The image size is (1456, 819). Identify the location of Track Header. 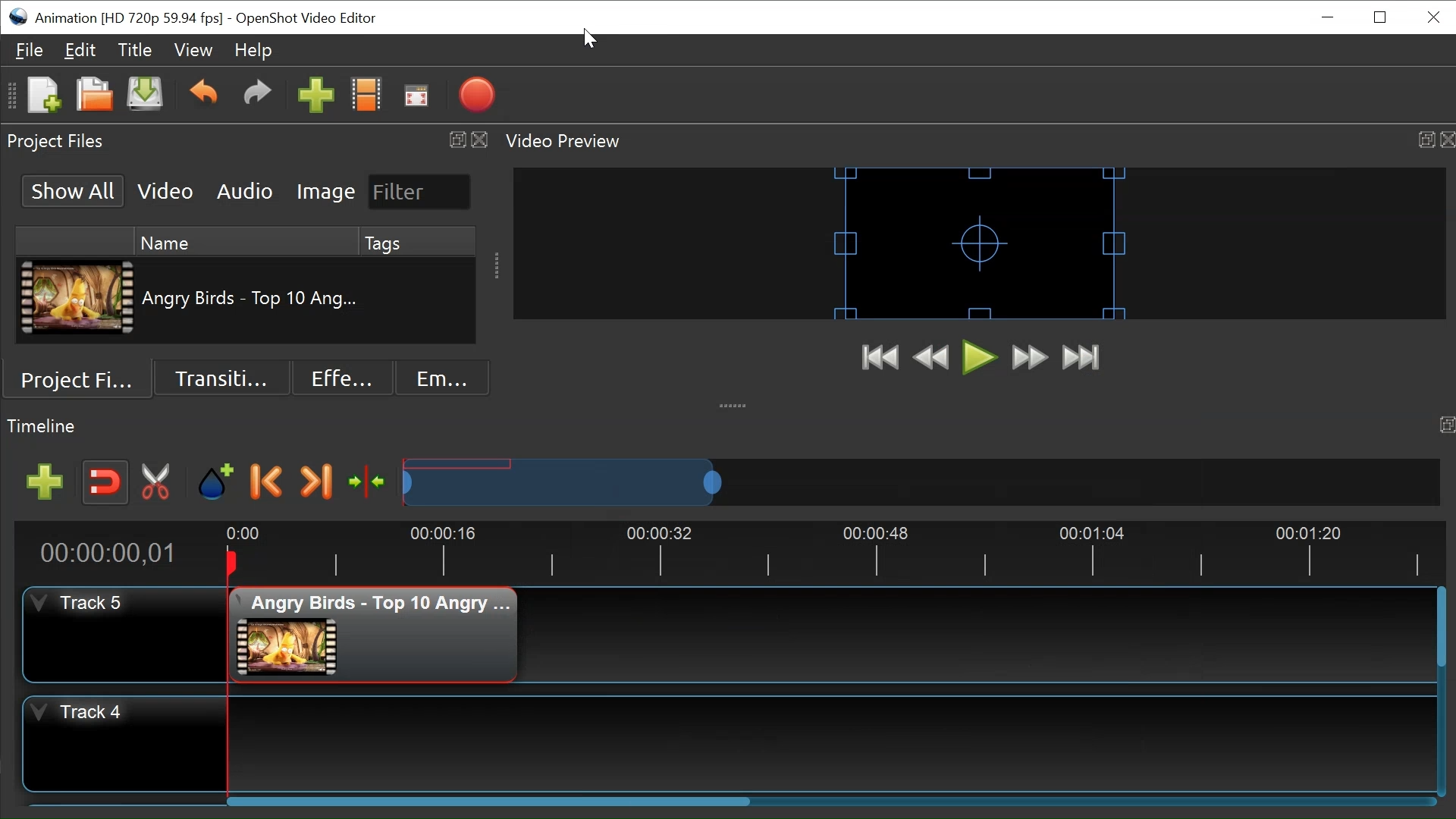
(124, 637).